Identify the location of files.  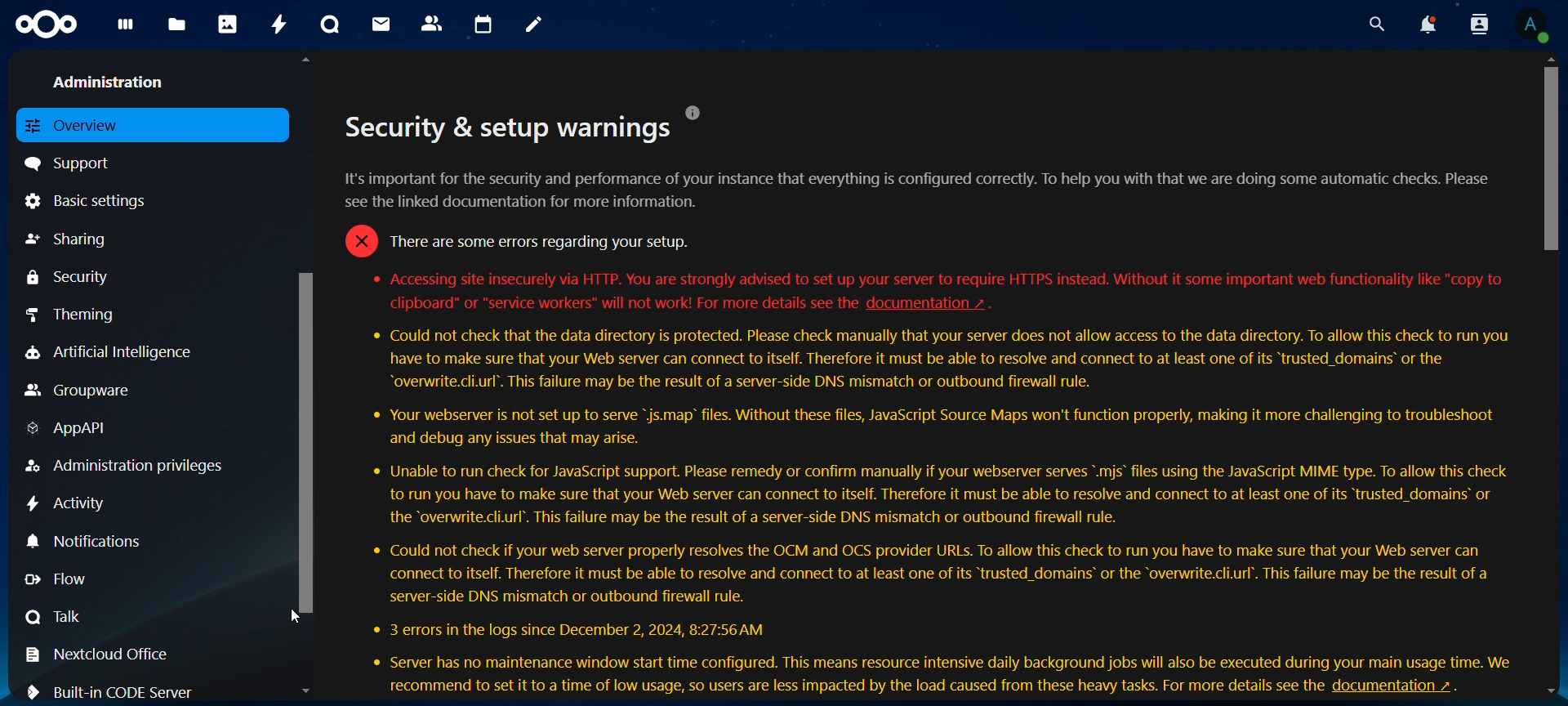
(177, 26).